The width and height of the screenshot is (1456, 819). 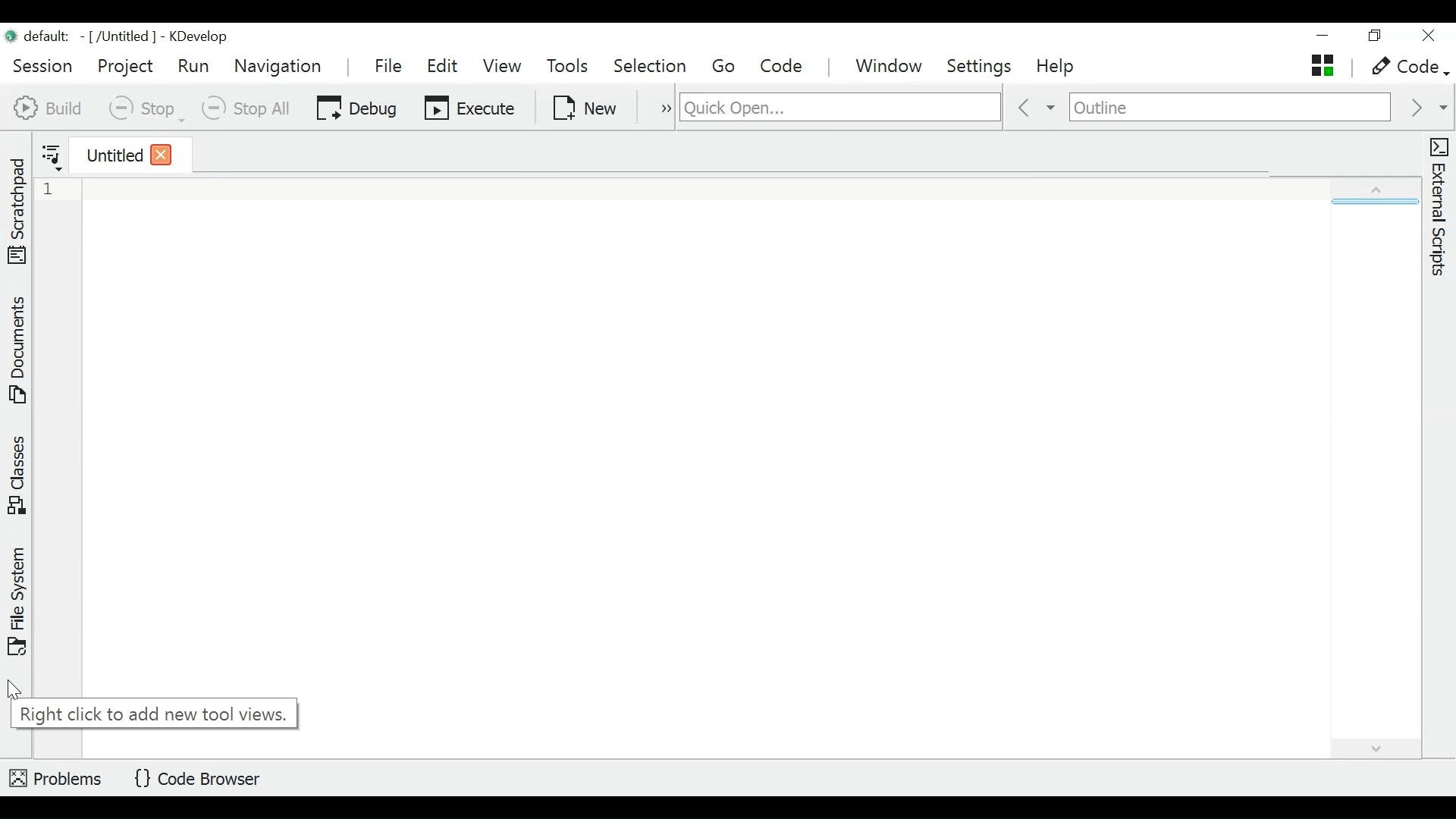 What do you see at coordinates (661, 106) in the screenshot?
I see `more` at bounding box center [661, 106].